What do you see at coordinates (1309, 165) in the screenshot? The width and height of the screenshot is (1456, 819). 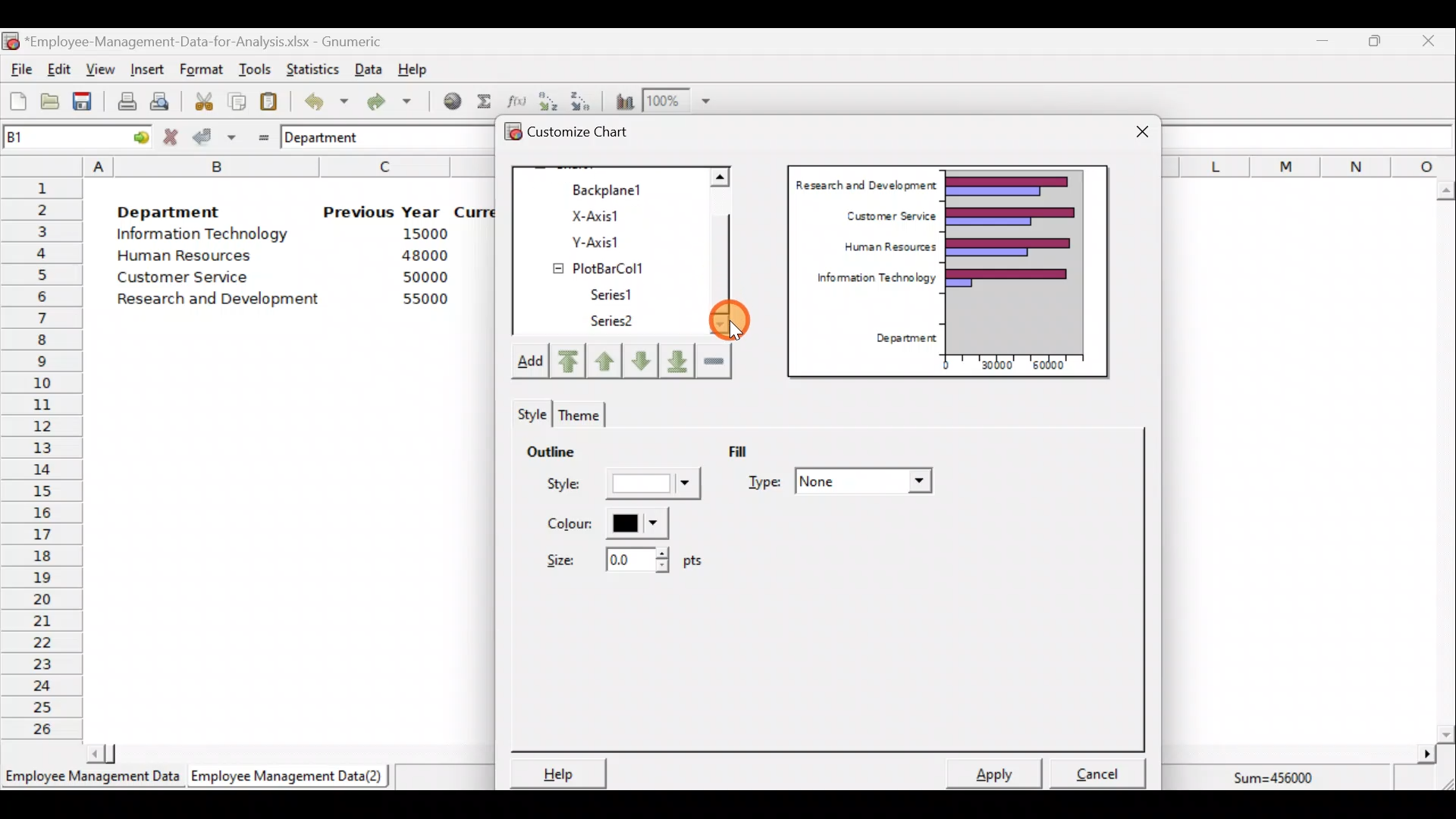 I see `Columns` at bounding box center [1309, 165].